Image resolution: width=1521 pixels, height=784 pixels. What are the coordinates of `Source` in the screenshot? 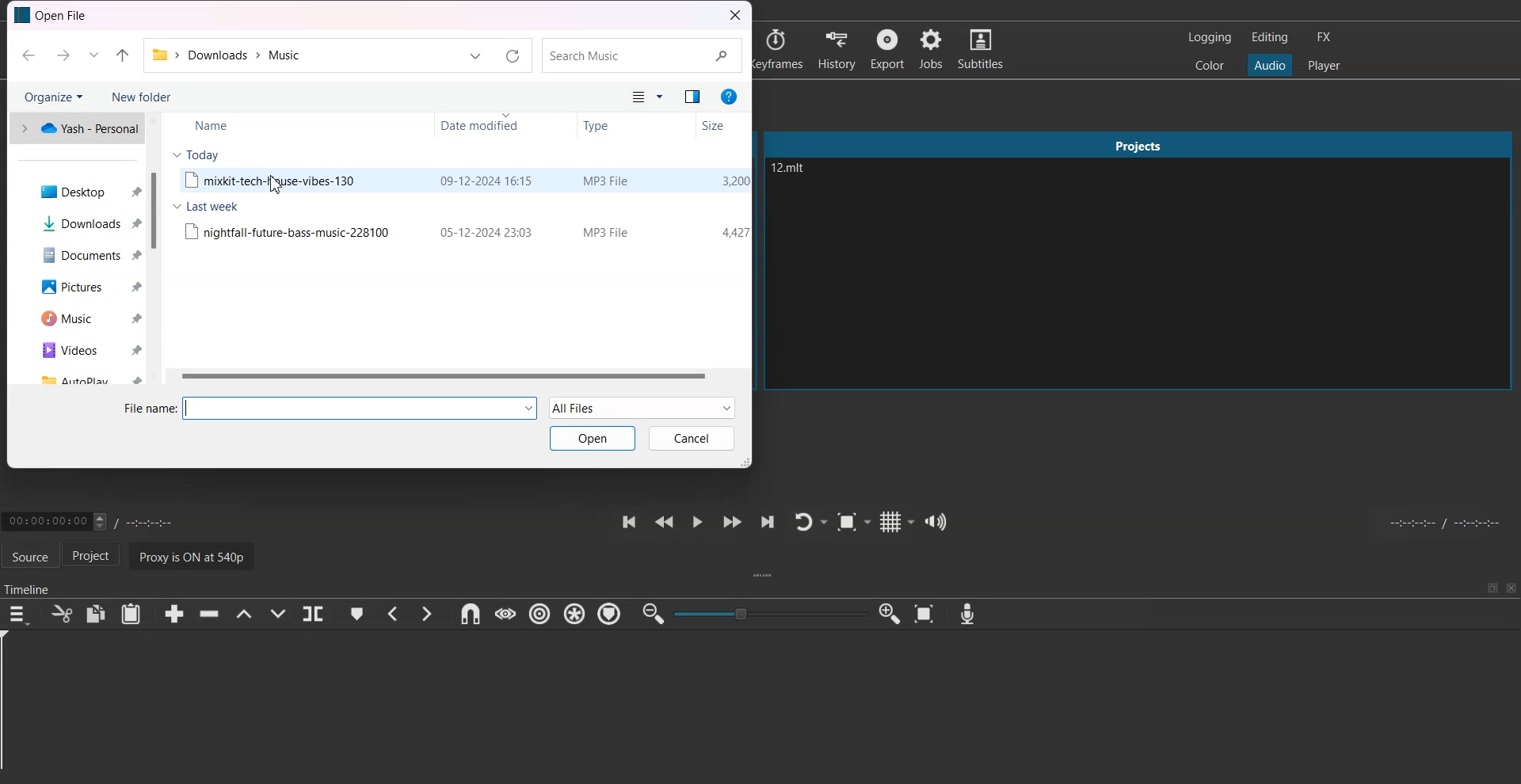 It's located at (29, 554).